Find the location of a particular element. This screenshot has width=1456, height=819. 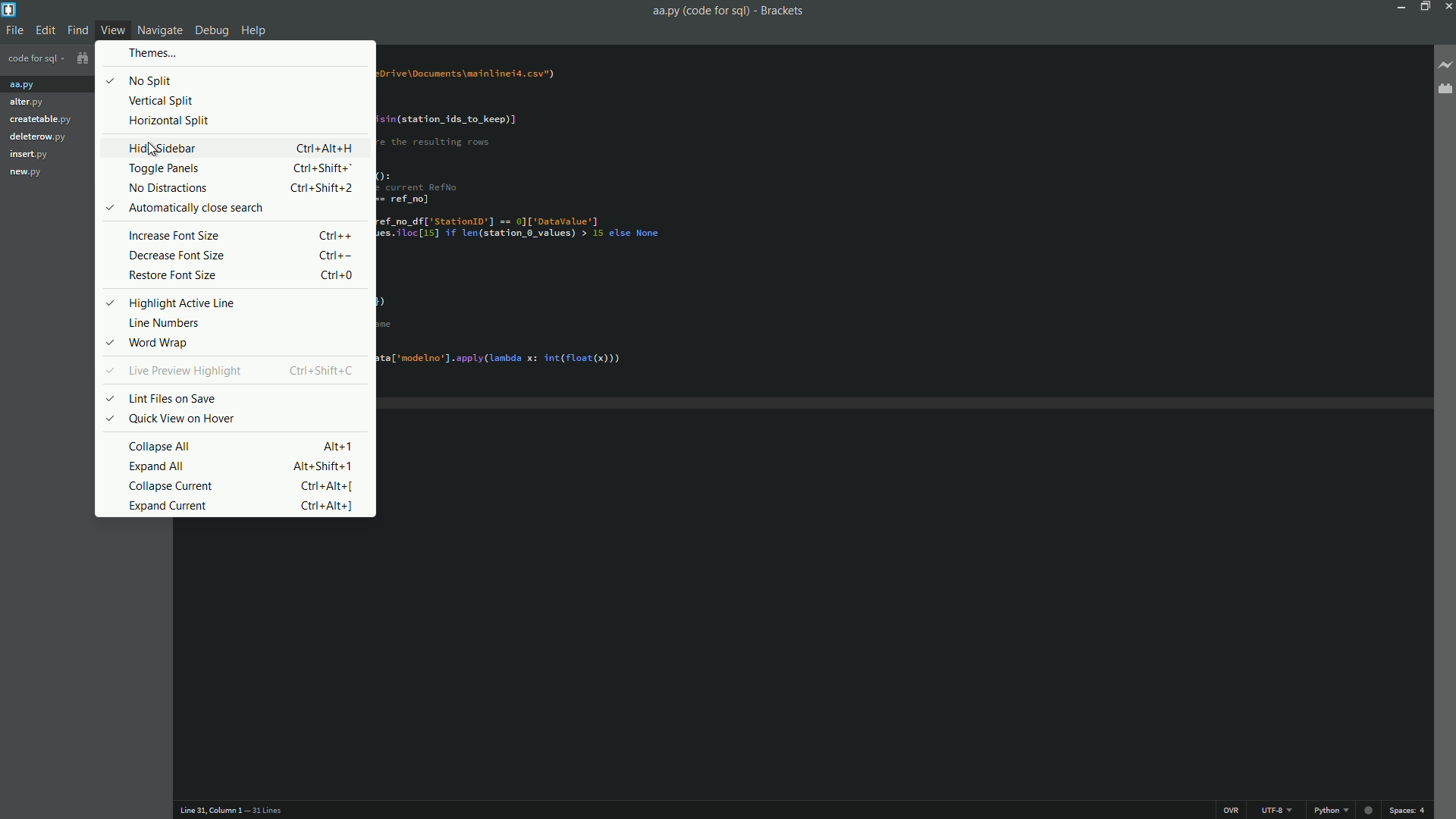

keyboard shortcut is located at coordinates (334, 256).